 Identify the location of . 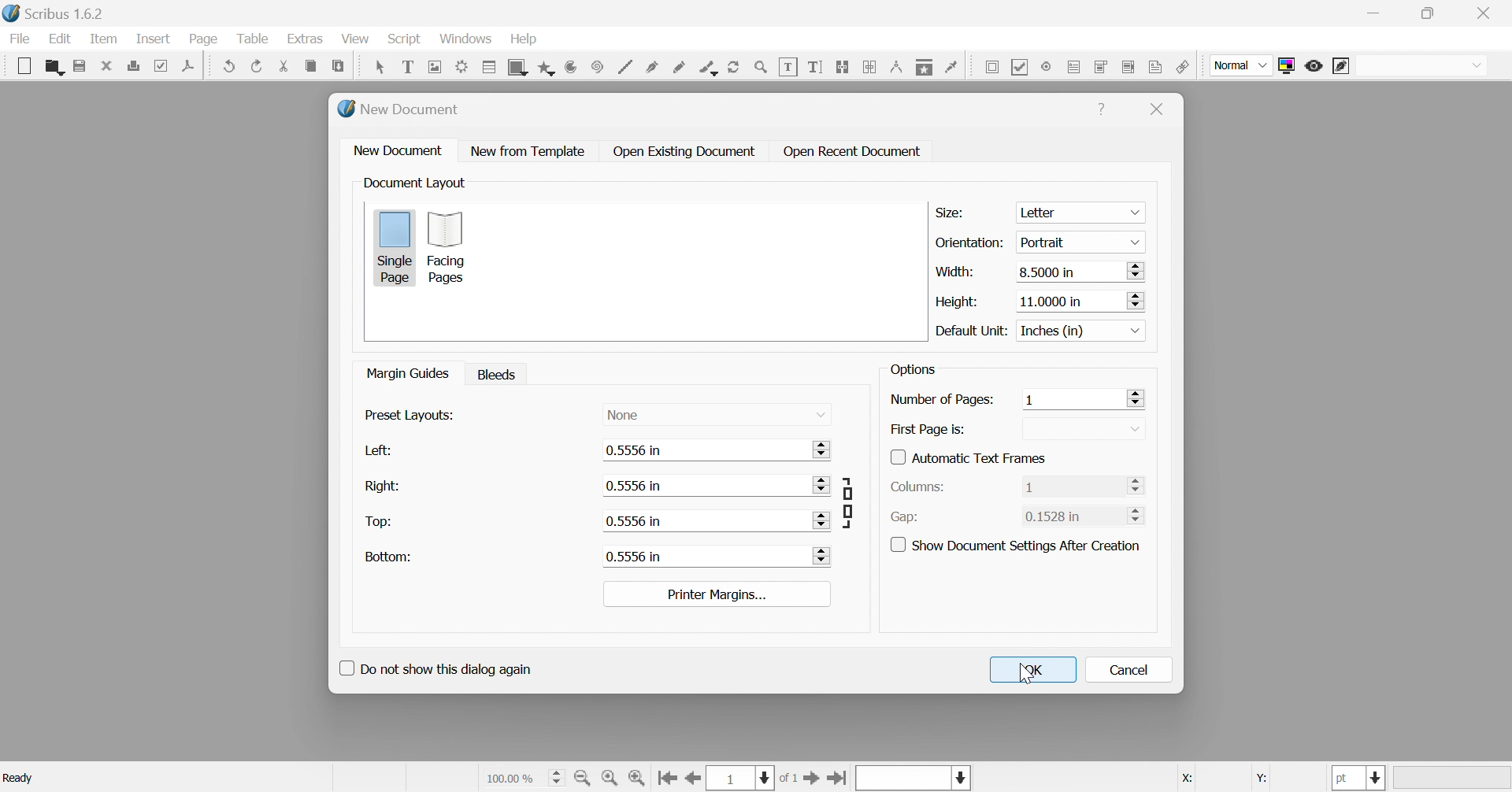
(1099, 105).